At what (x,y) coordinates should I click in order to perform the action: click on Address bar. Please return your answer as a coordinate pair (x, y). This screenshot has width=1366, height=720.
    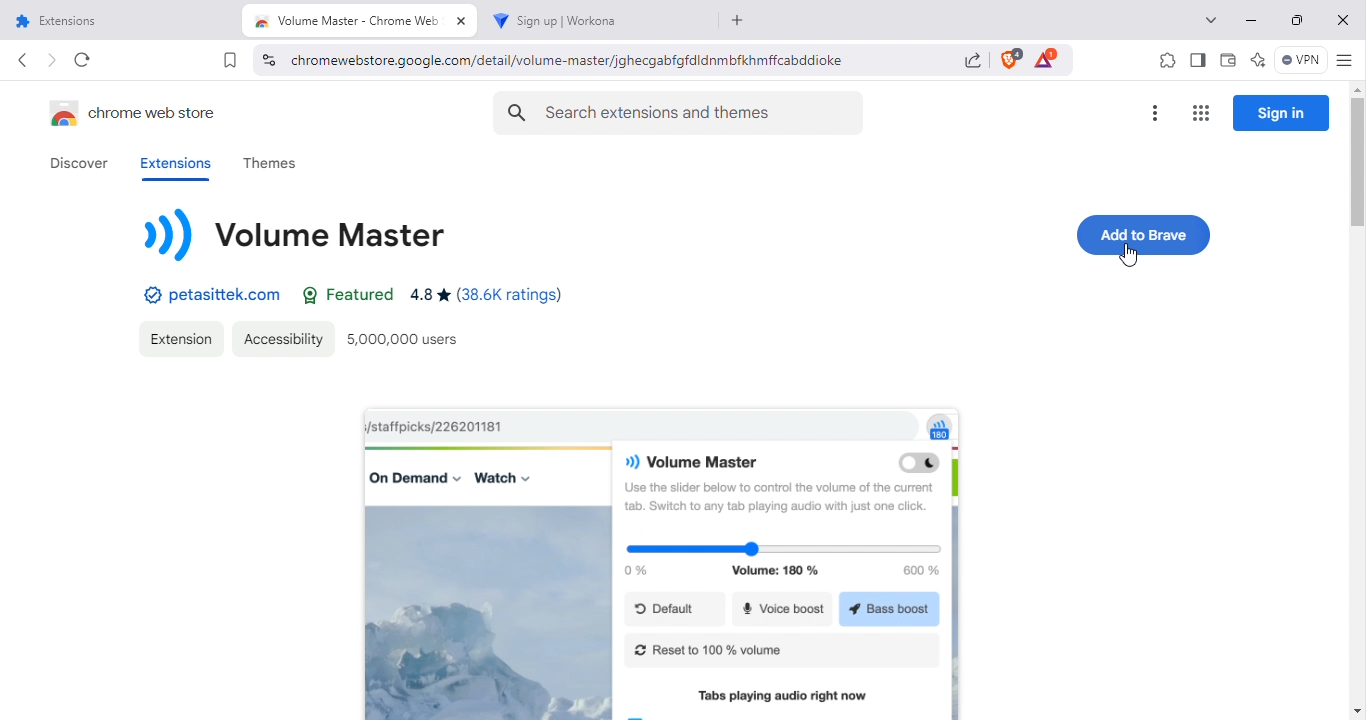
    Looking at the image, I should click on (614, 58).